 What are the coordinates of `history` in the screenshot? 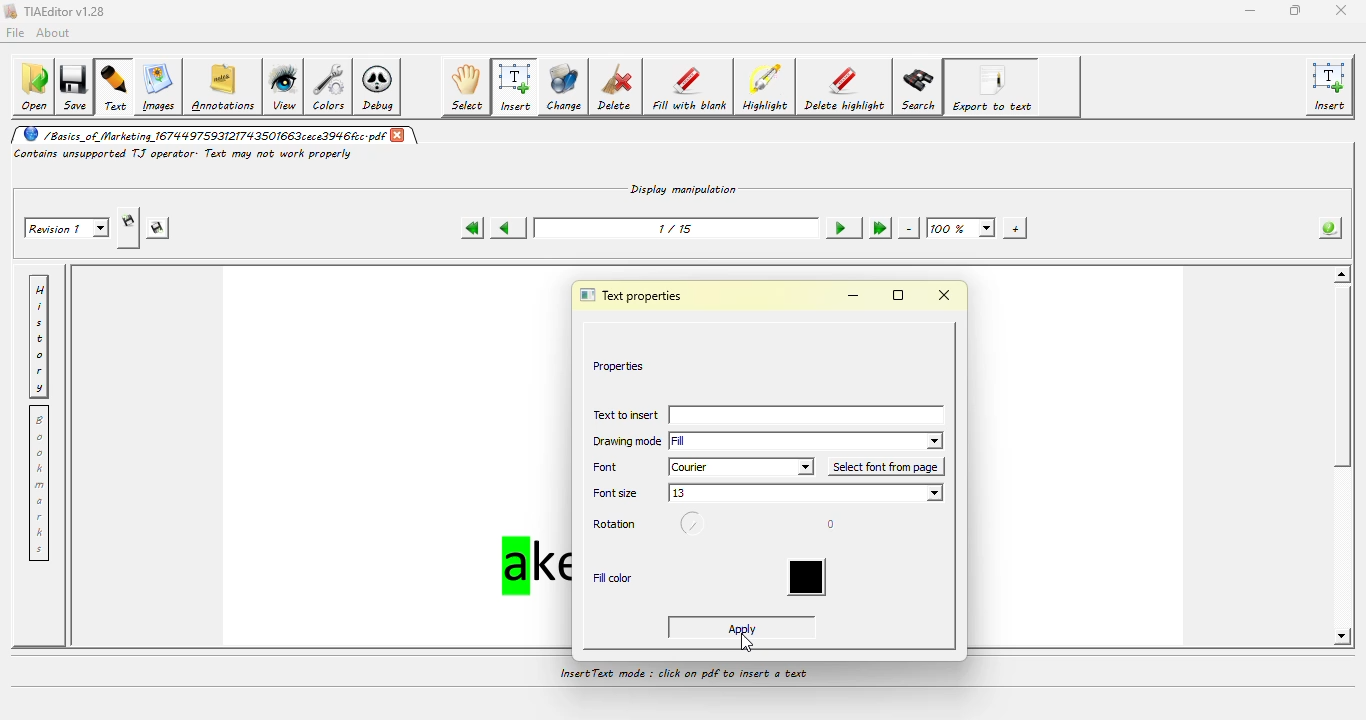 It's located at (42, 335).